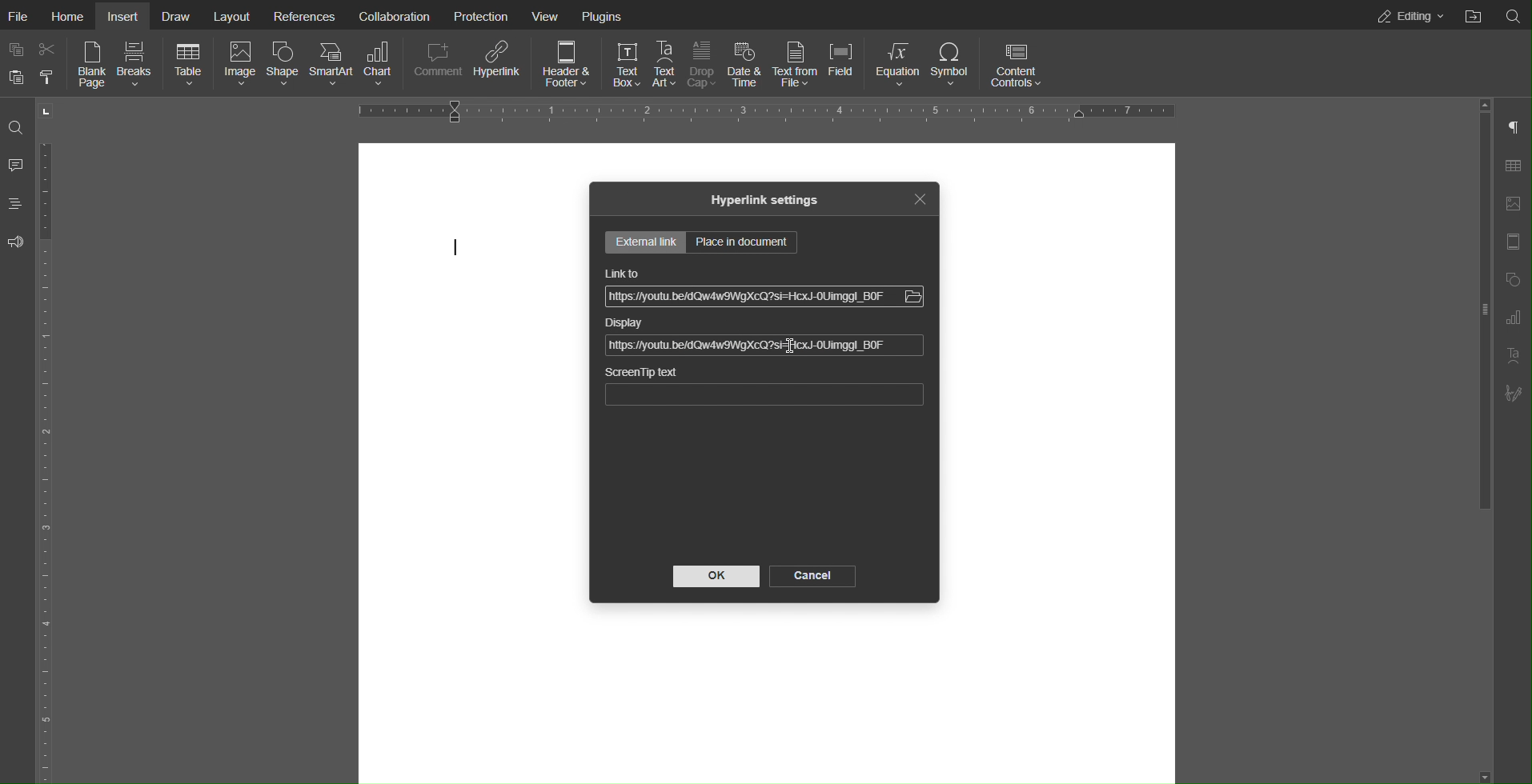  Describe the element at coordinates (140, 66) in the screenshot. I see `Breaks` at that location.